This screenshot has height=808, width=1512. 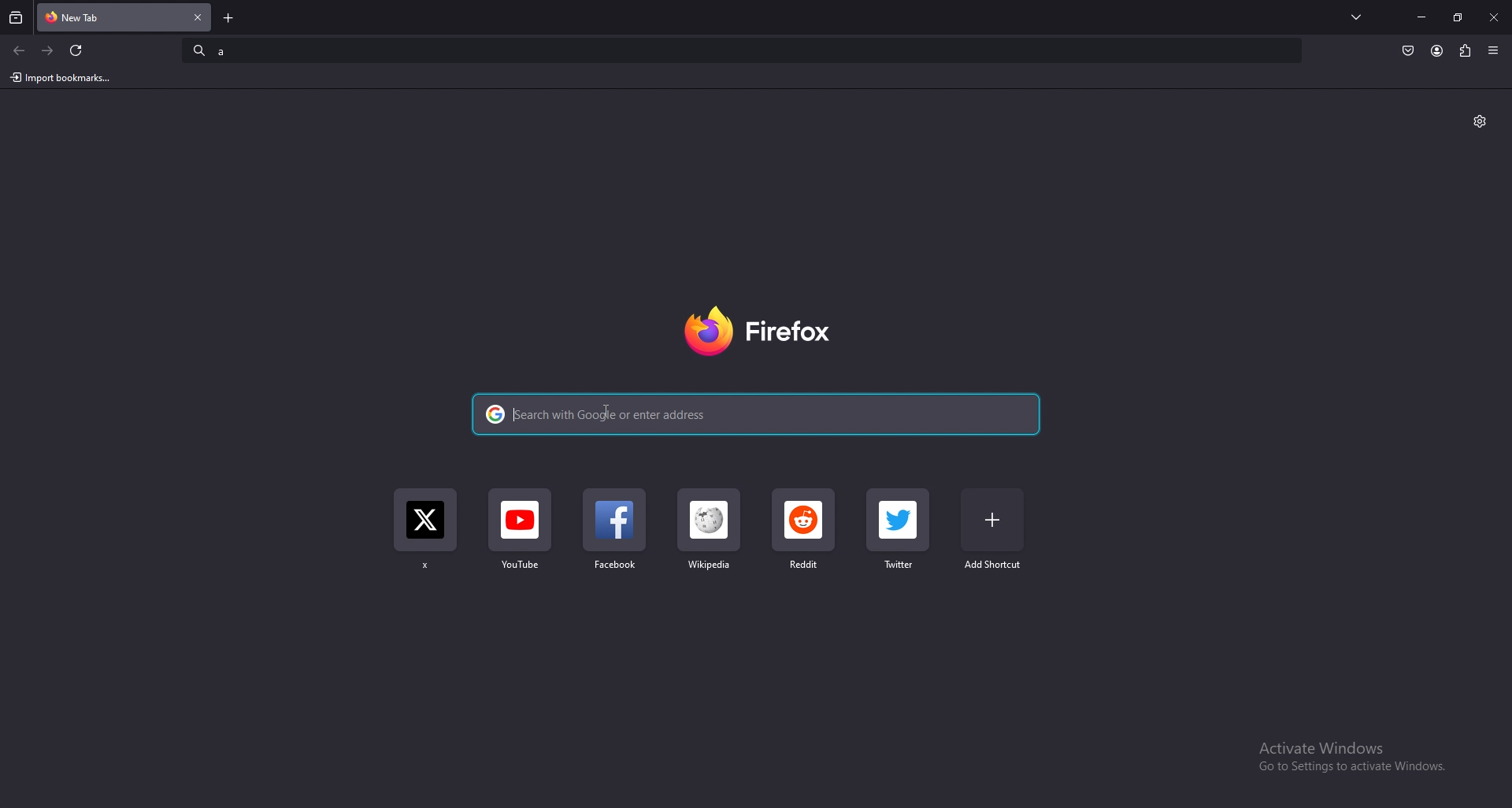 I want to click on add shortcut, so click(x=992, y=529).